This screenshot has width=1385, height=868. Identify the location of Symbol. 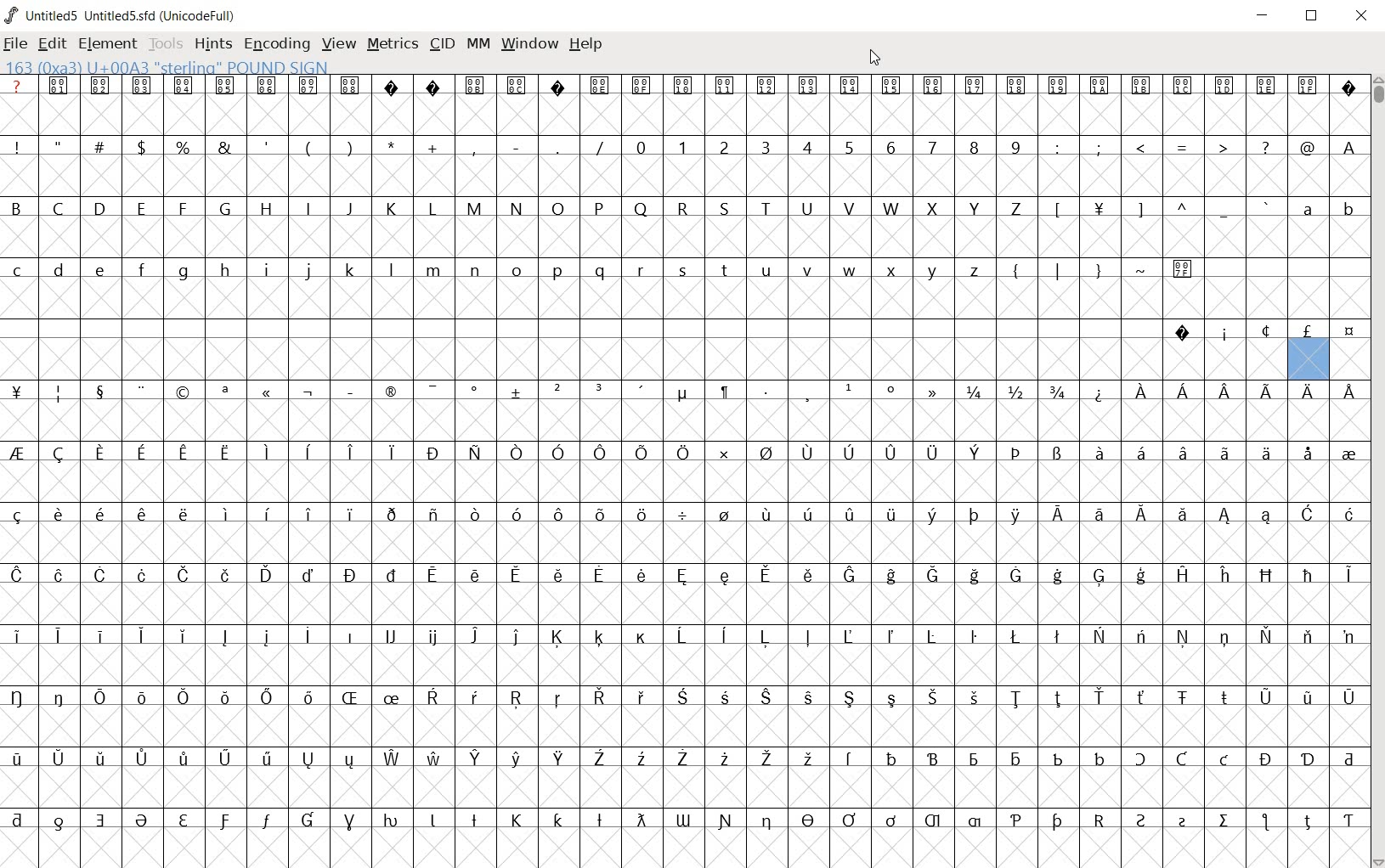
(1099, 578).